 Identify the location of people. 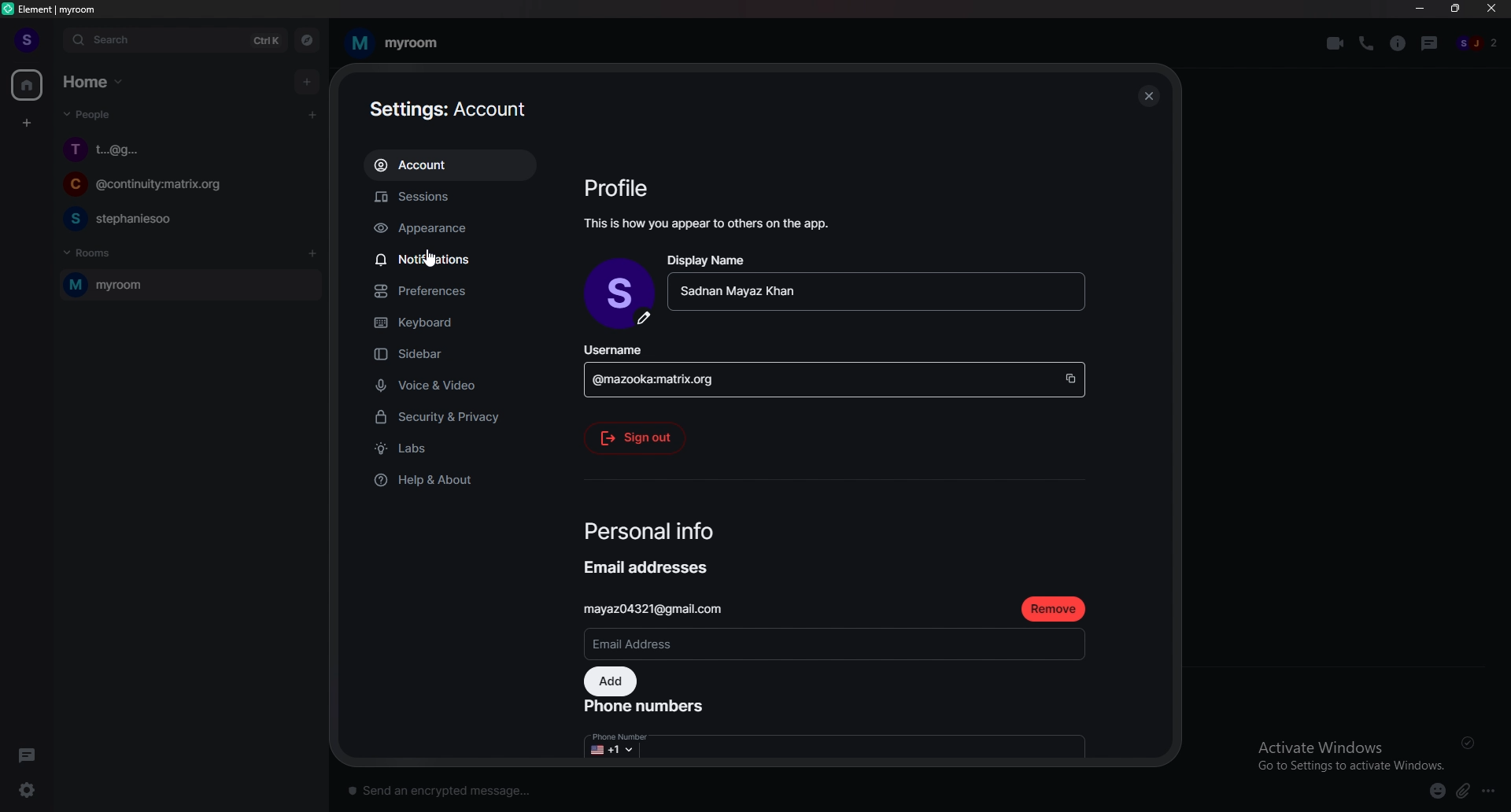
(91, 114).